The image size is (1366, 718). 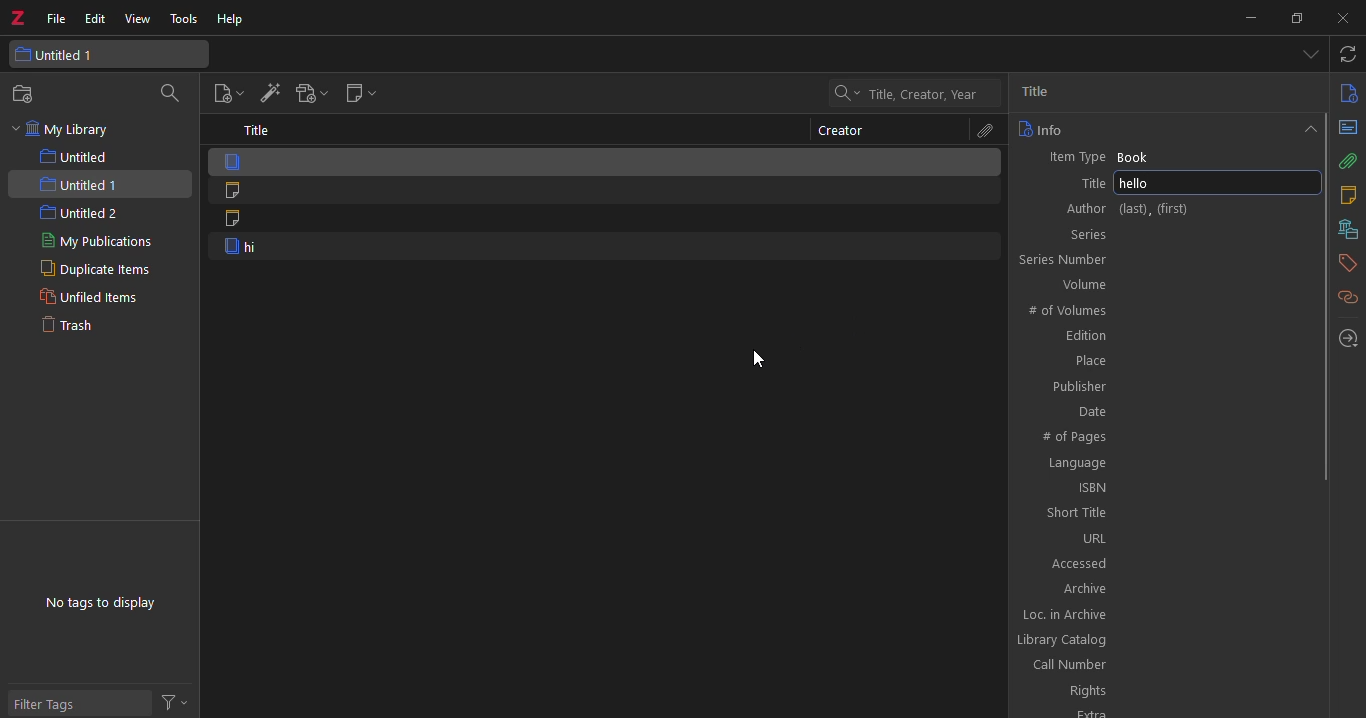 What do you see at coordinates (1159, 233) in the screenshot?
I see `series` at bounding box center [1159, 233].